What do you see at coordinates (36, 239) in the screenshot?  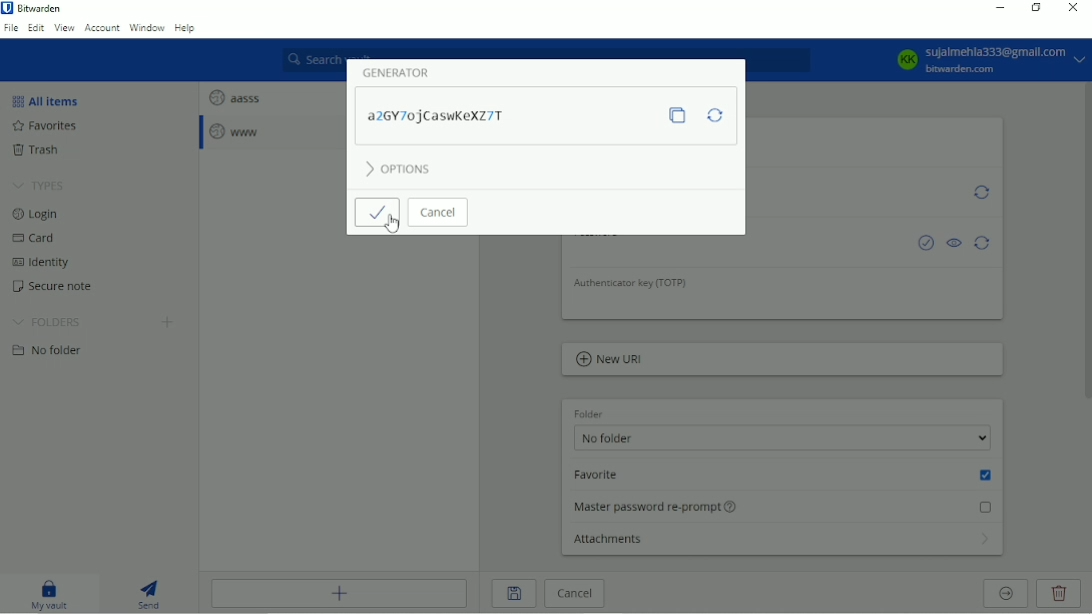 I see `Card` at bounding box center [36, 239].